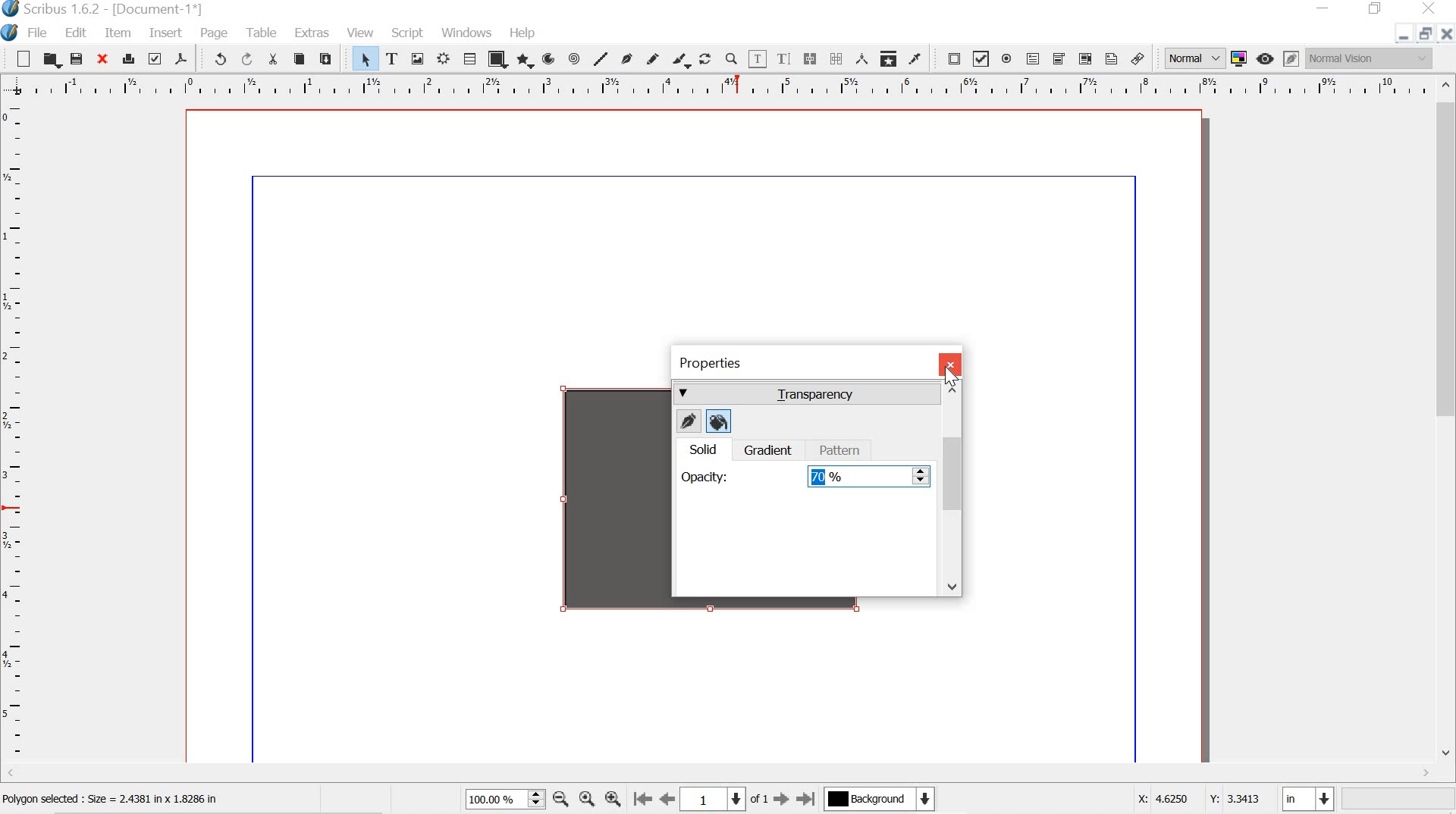 This screenshot has width=1456, height=814. I want to click on solid, so click(701, 450).